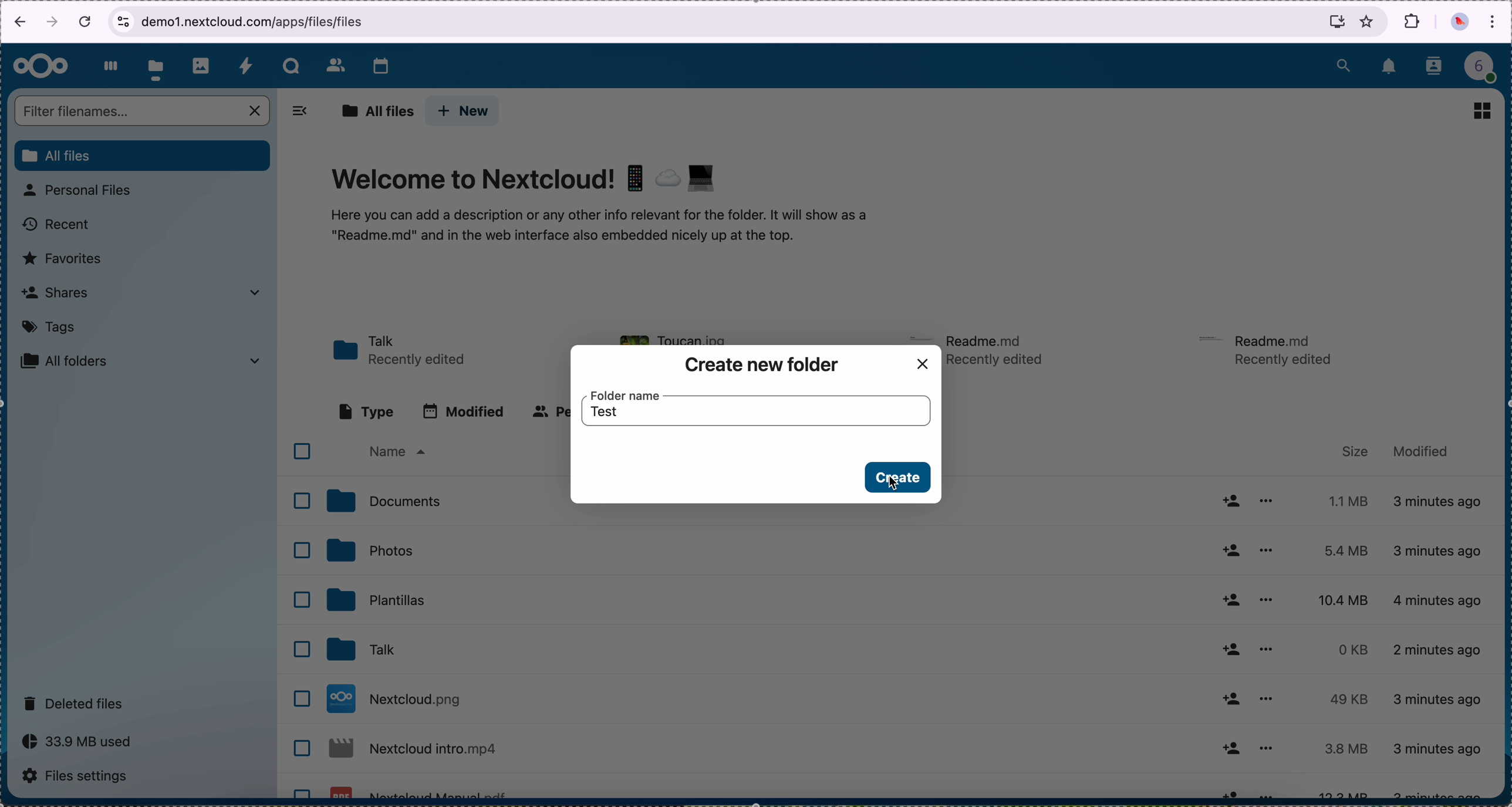 This screenshot has width=1512, height=807. Describe the element at coordinates (377, 112) in the screenshot. I see `all files` at that location.